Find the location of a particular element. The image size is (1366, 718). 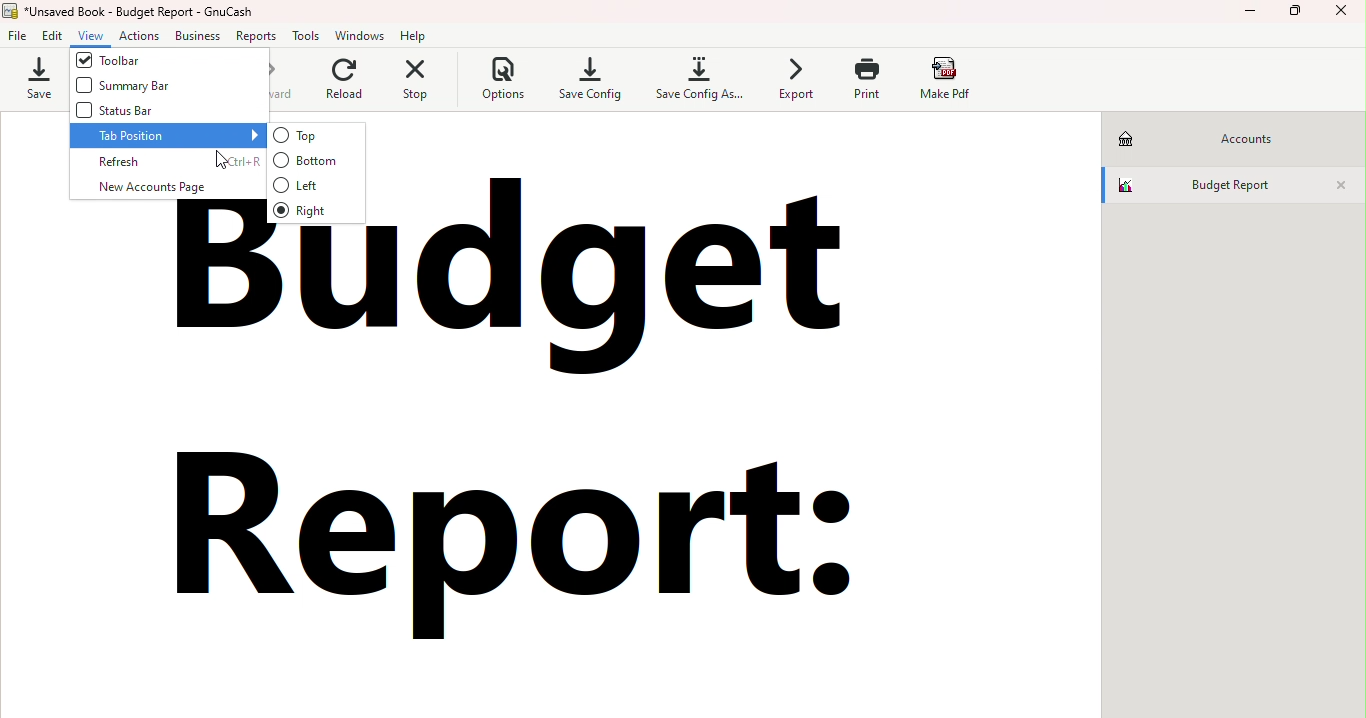

Left is located at coordinates (319, 183).